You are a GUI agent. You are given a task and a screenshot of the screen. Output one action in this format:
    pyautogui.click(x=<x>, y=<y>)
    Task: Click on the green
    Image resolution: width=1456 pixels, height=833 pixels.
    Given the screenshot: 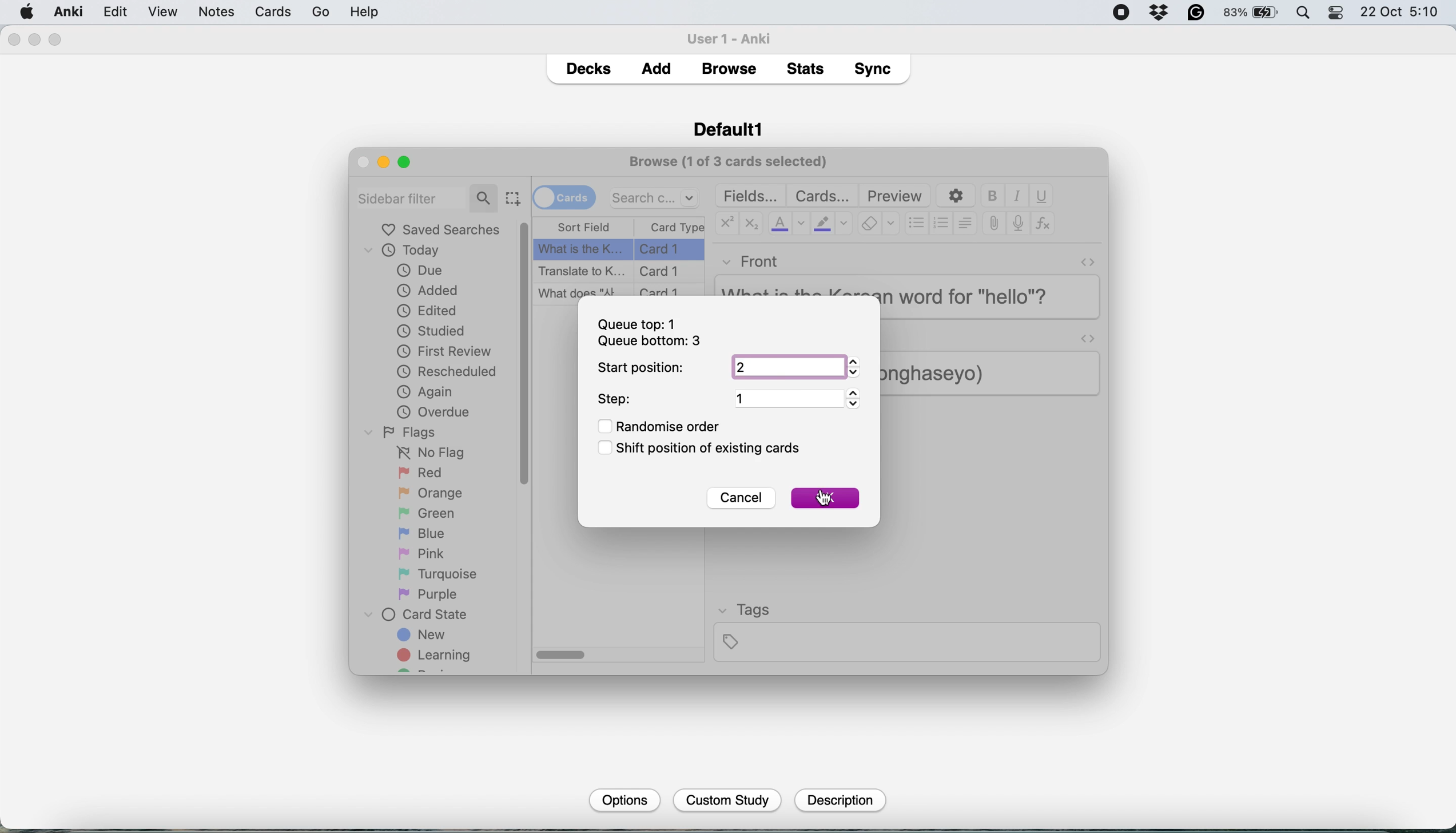 What is the action you would take?
    pyautogui.click(x=435, y=512)
    